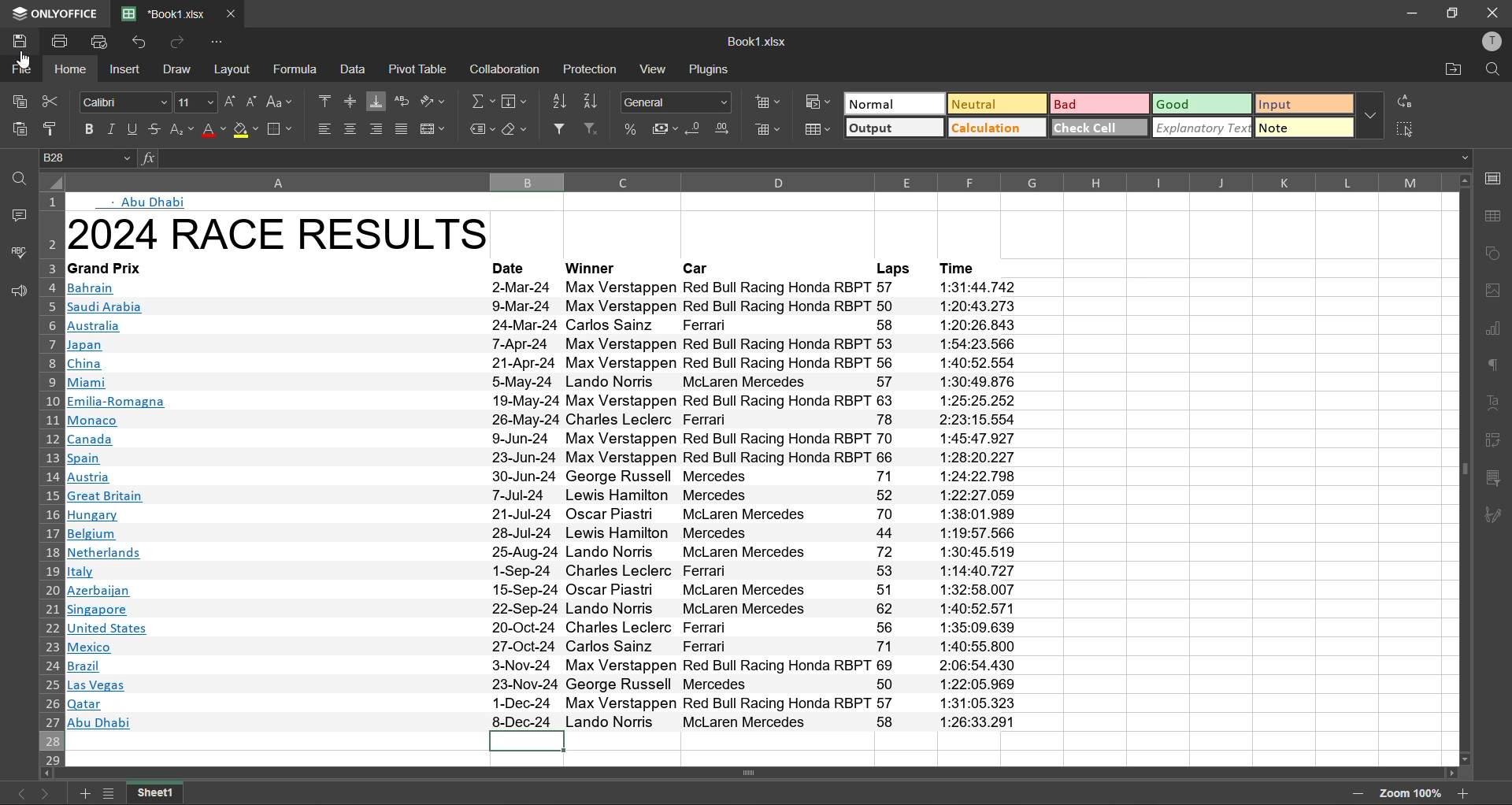 Image resolution: width=1512 pixels, height=805 pixels. Describe the element at coordinates (18, 41) in the screenshot. I see `save` at that location.